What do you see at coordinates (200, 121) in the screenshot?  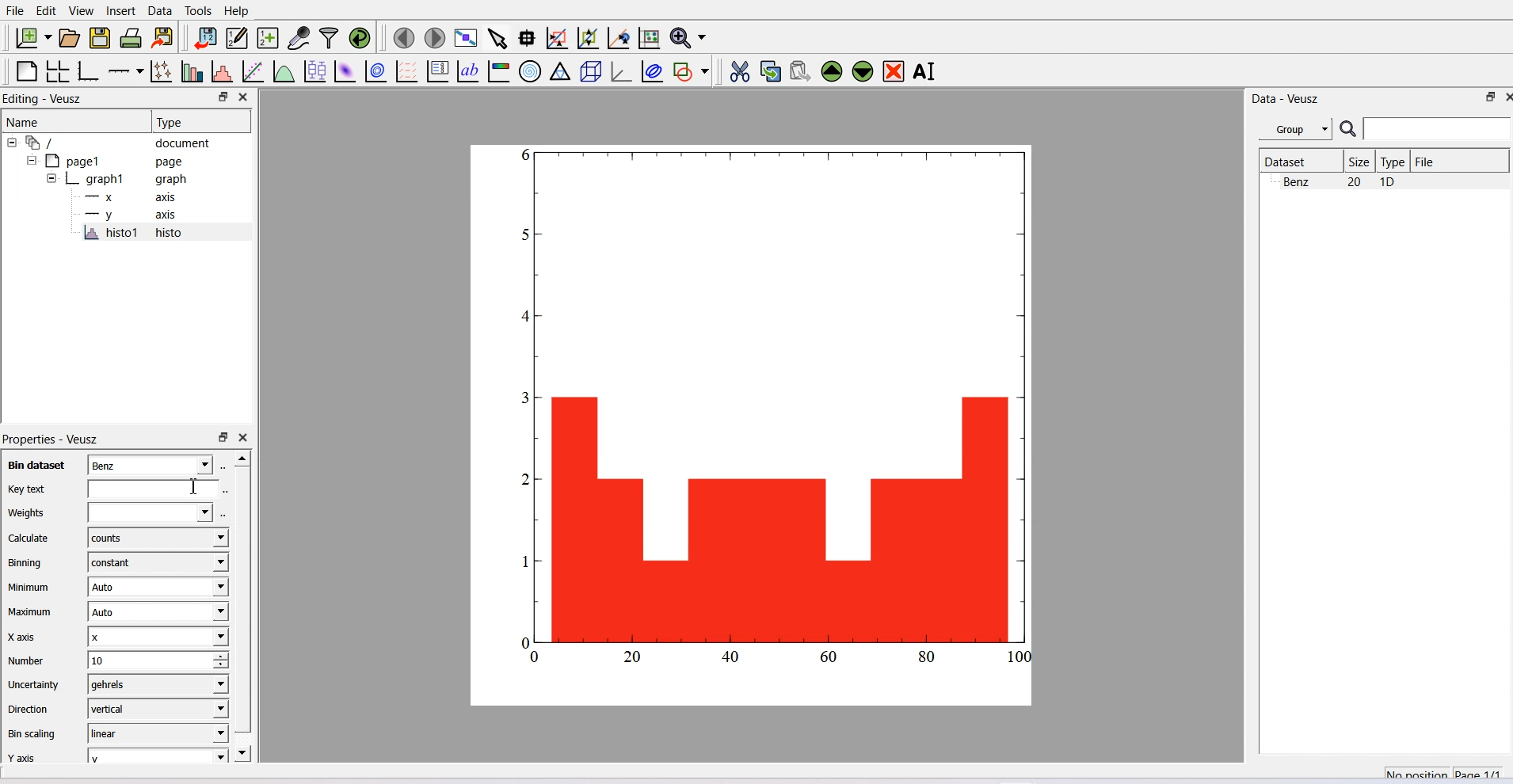 I see `Type` at bounding box center [200, 121].